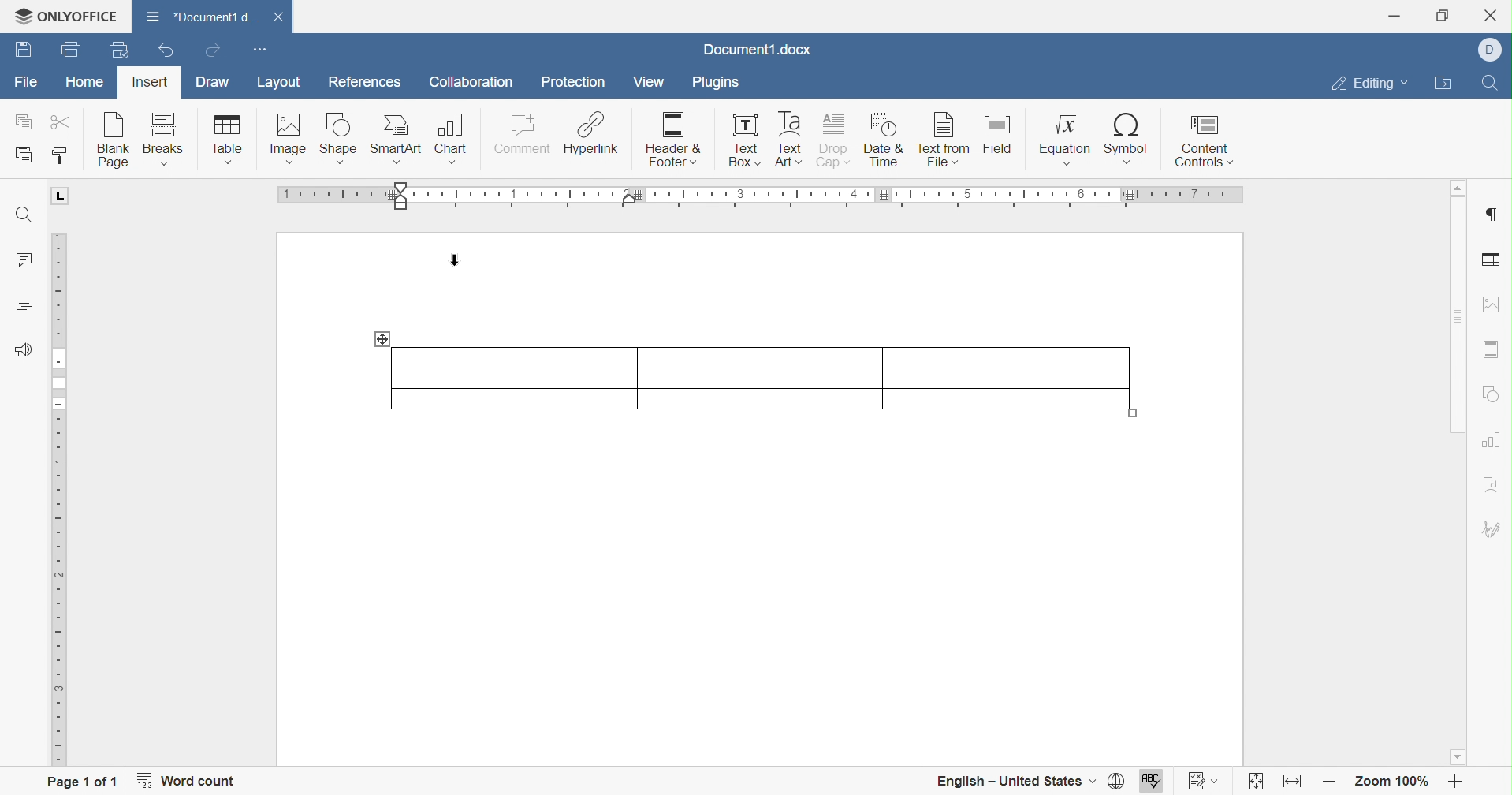 The image size is (1512, 795). What do you see at coordinates (1494, 259) in the screenshot?
I see `Table settings` at bounding box center [1494, 259].